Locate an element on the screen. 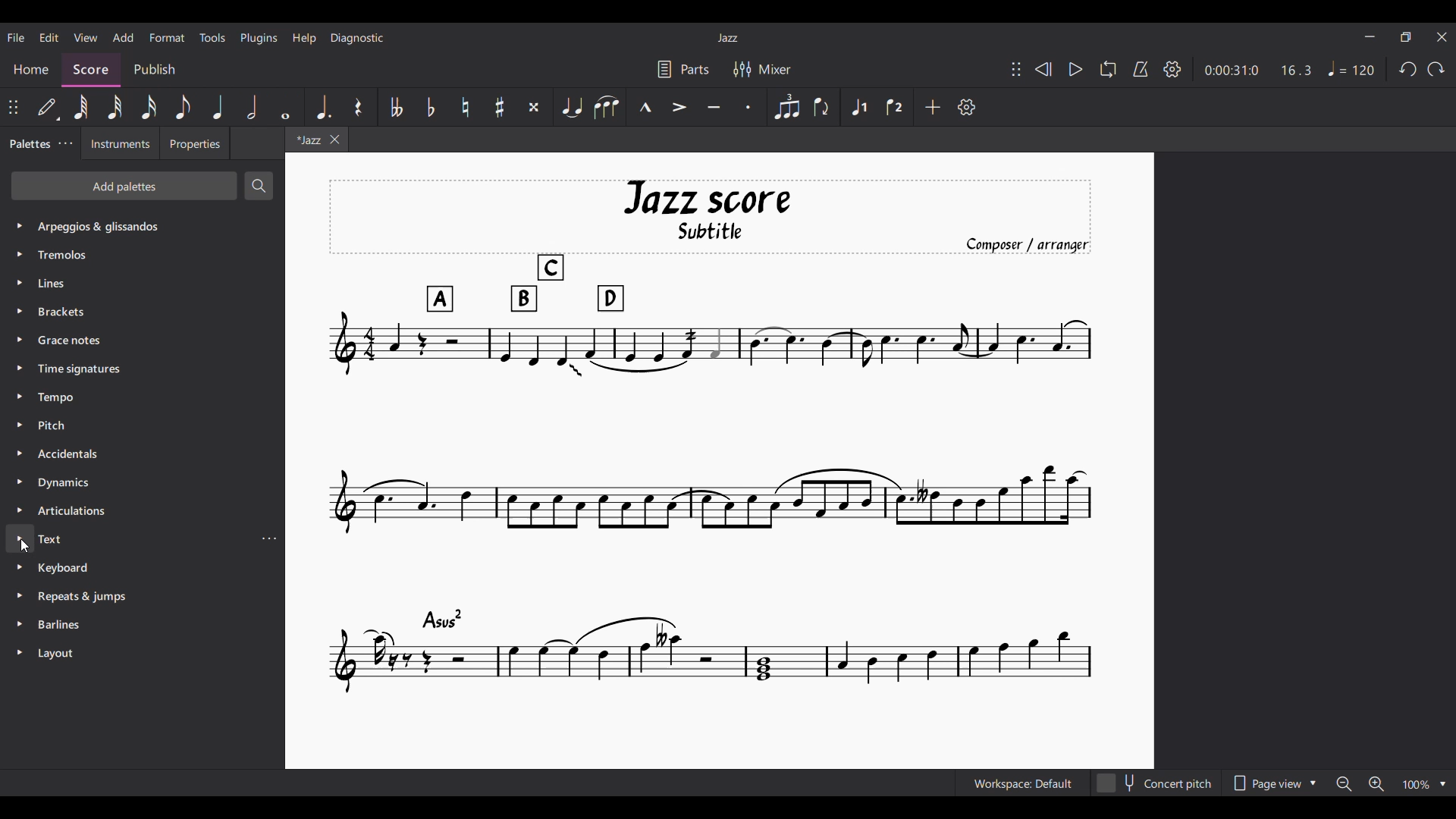 This screenshot has width=1456, height=819. Score, current section highlighted is located at coordinates (93, 68).